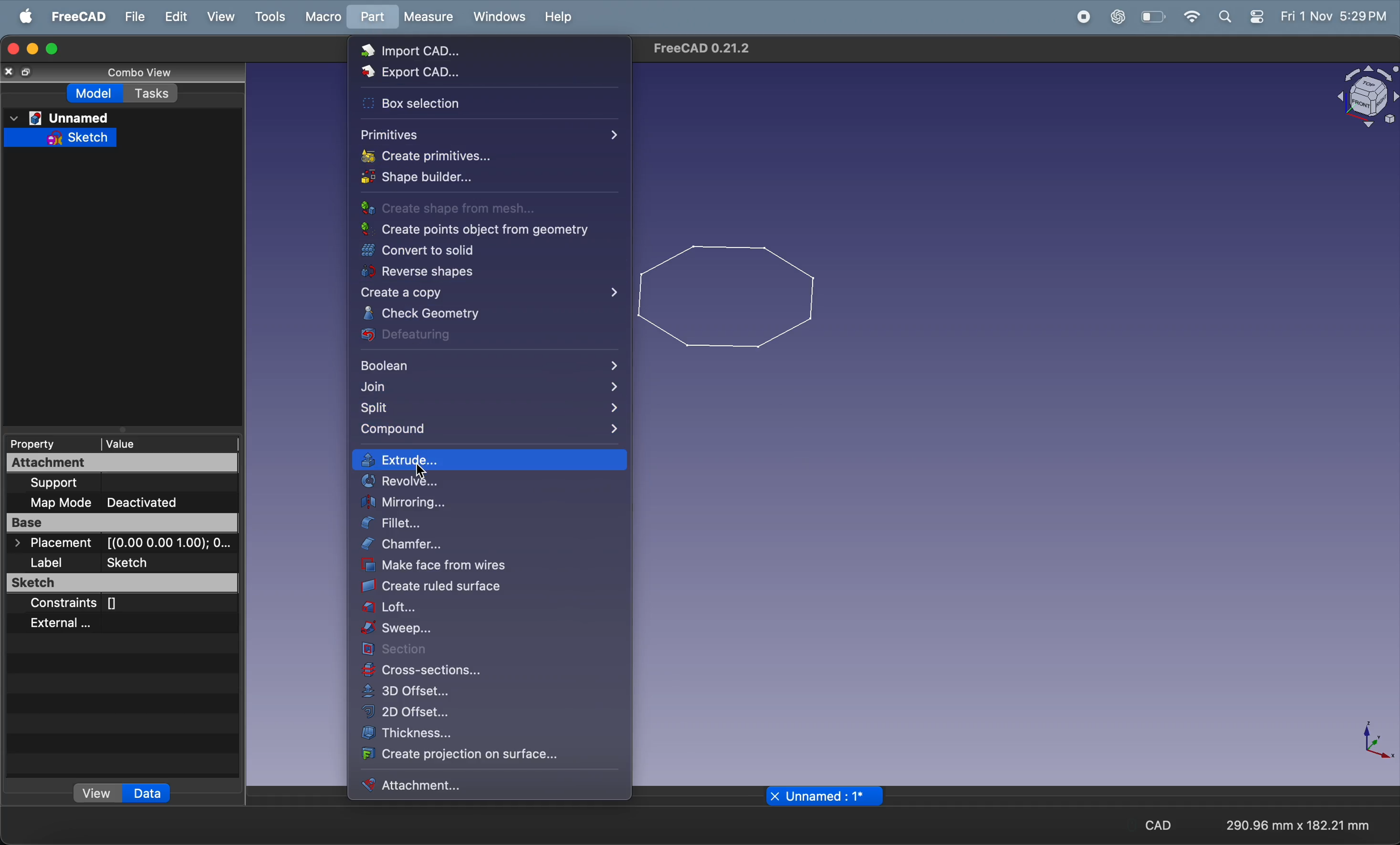 This screenshot has height=845, width=1400. Describe the element at coordinates (1156, 824) in the screenshot. I see `cad` at that location.